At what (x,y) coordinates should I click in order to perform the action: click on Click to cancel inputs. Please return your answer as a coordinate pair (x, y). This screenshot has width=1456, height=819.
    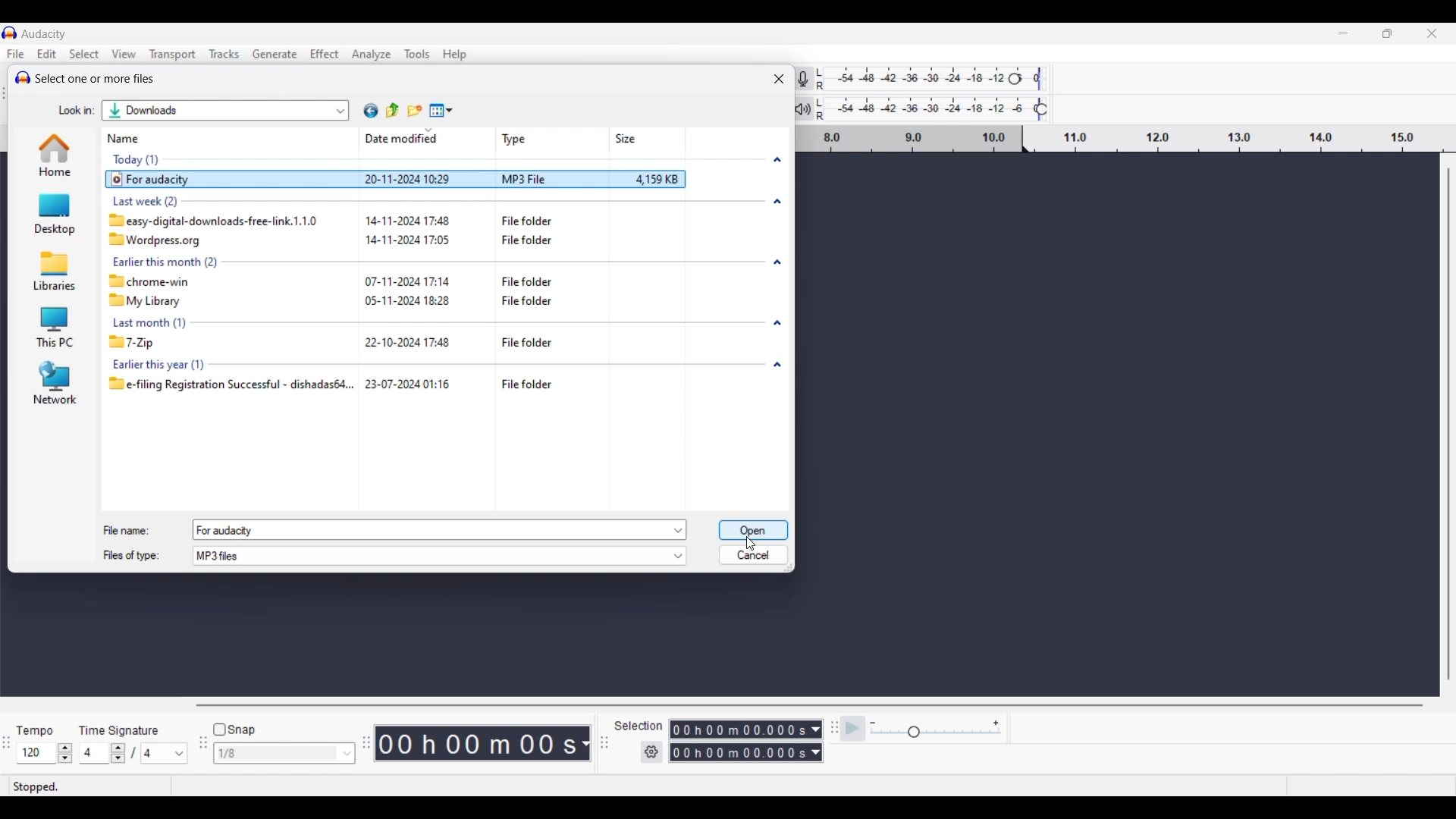
    Looking at the image, I should click on (752, 552).